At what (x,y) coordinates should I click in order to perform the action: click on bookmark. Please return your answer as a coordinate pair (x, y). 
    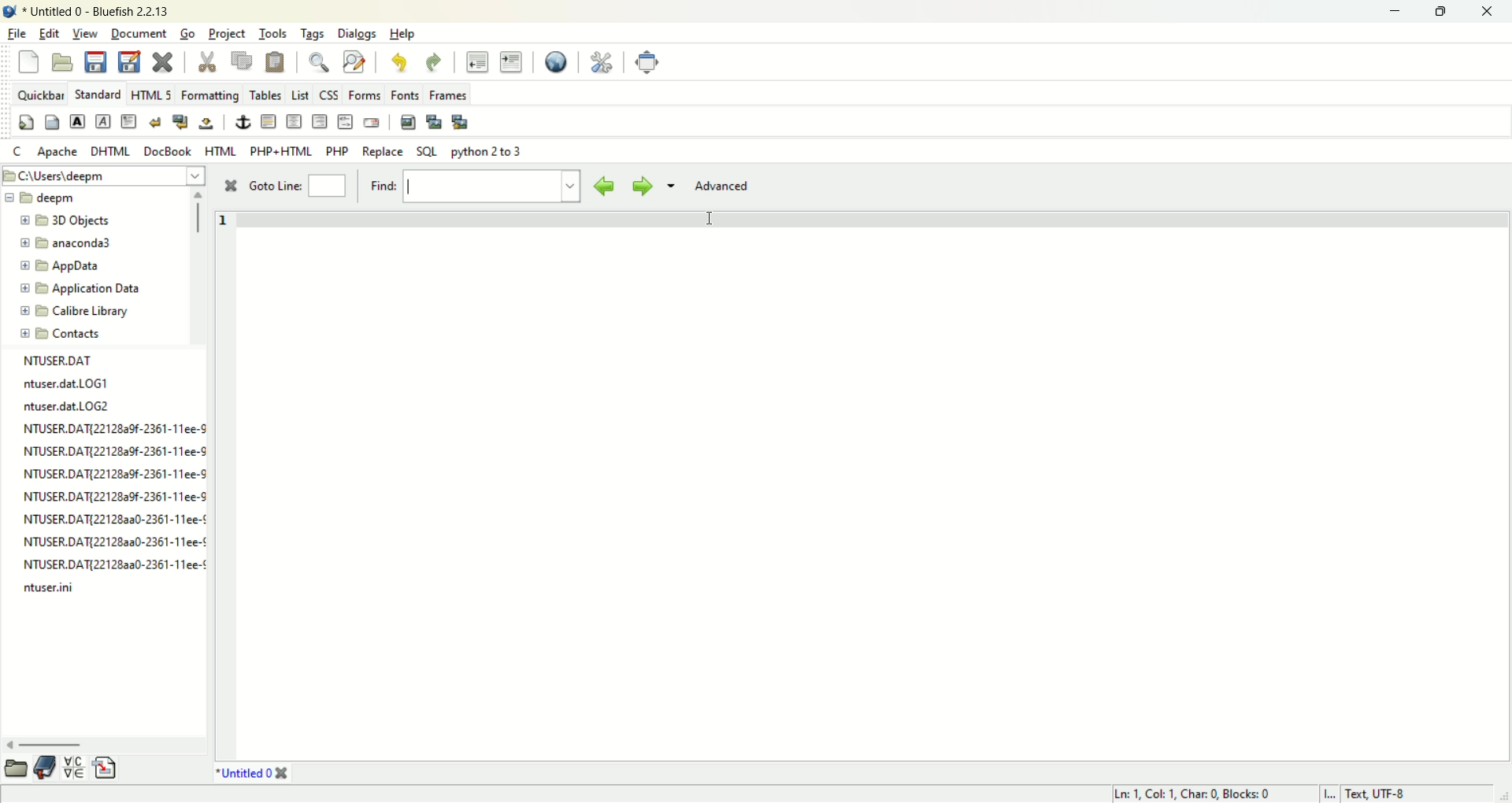
    Looking at the image, I should click on (48, 770).